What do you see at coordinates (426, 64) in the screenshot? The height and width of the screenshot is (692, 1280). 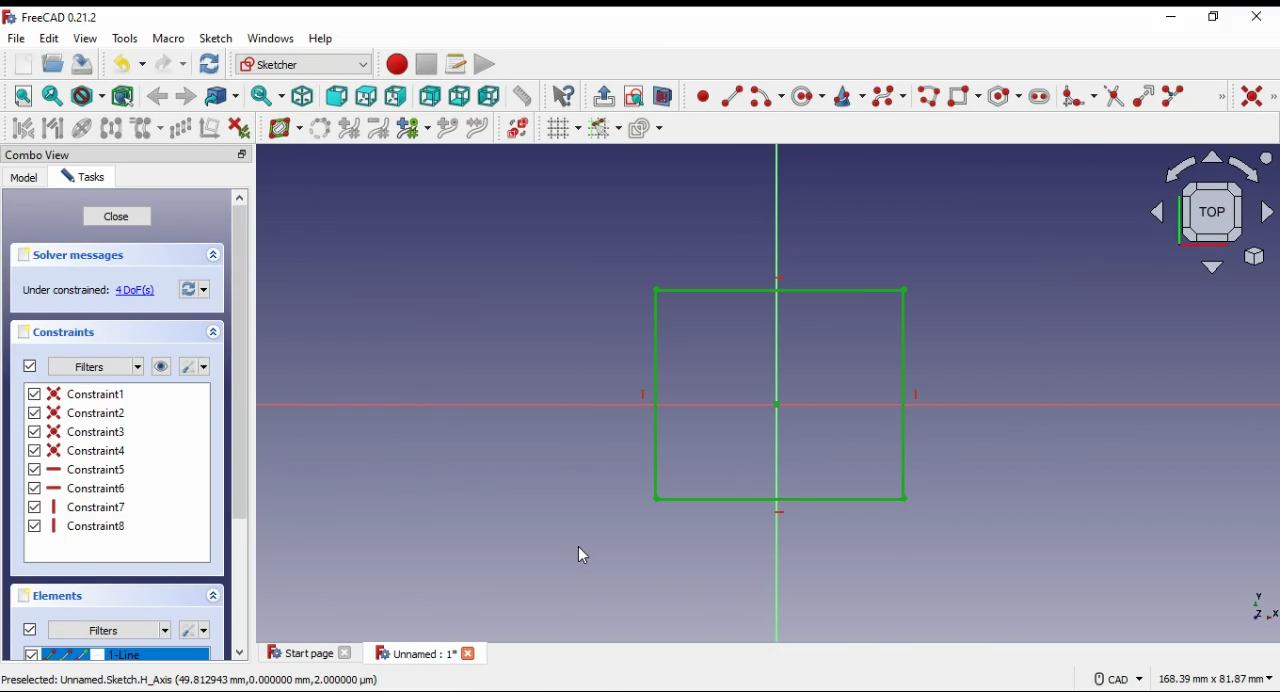 I see `stop macro recording` at bounding box center [426, 64].